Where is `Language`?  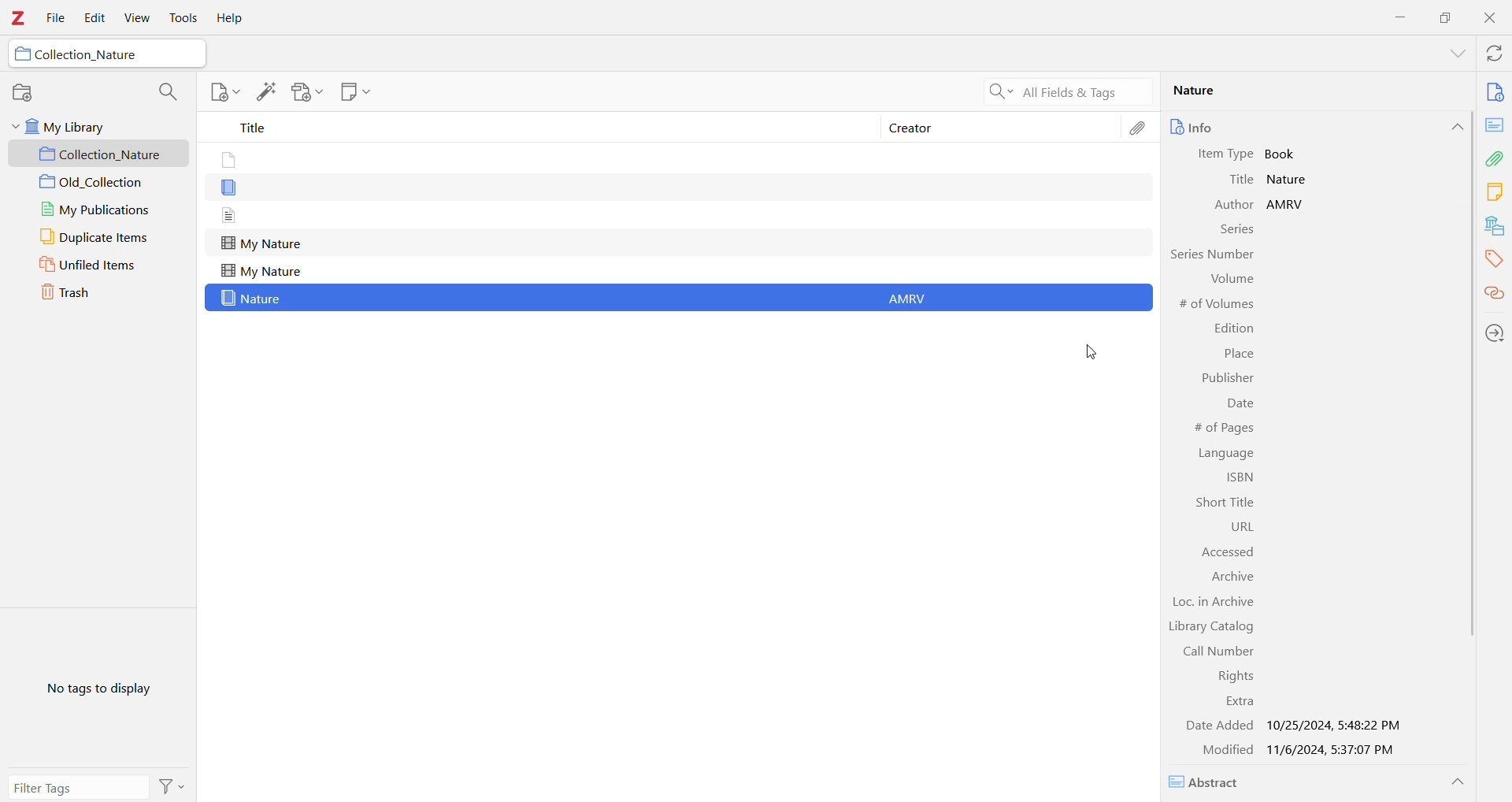
Language is located at coordinates (1228, 453).